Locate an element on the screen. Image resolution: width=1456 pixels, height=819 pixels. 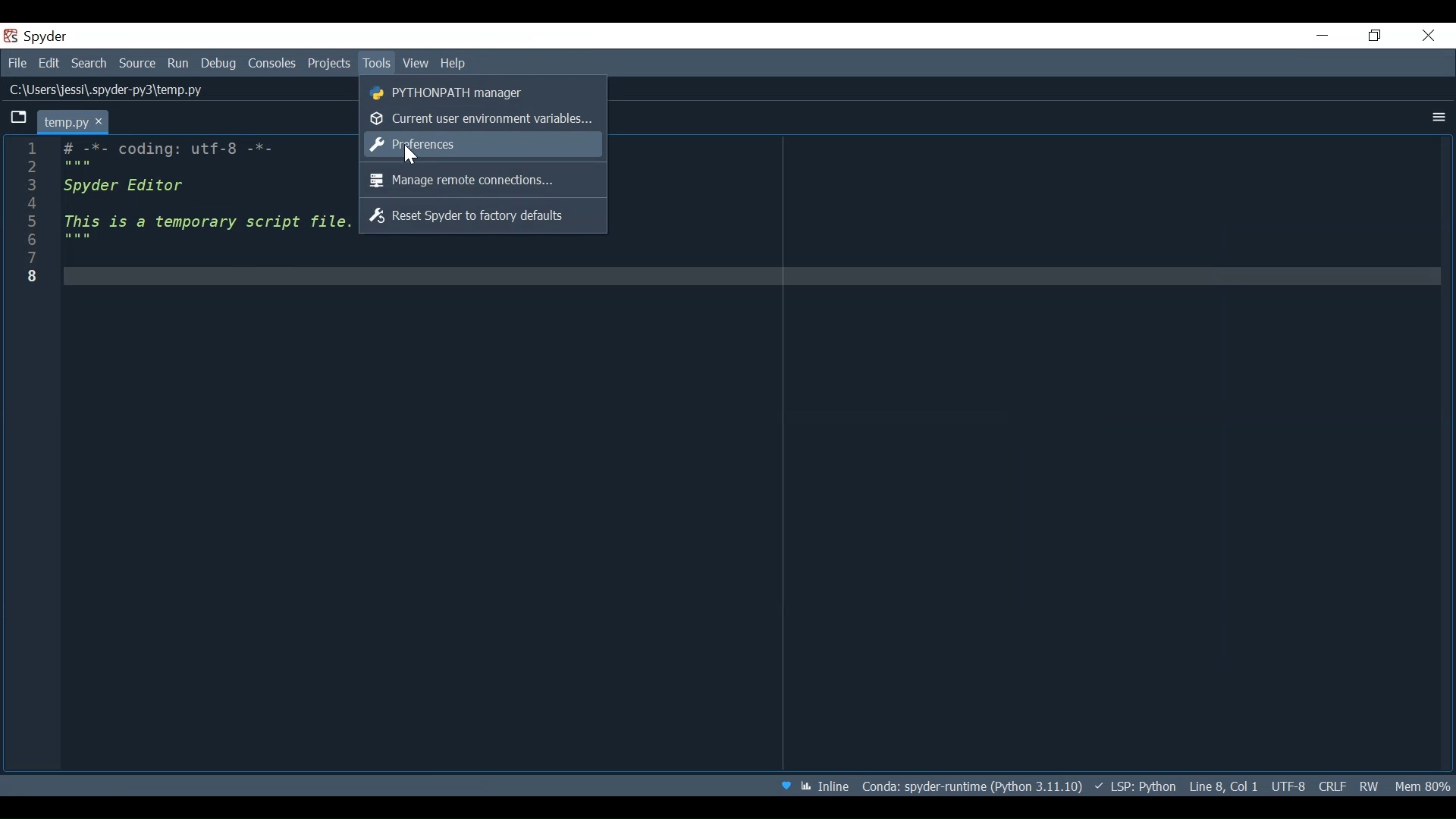
Manage remote connections is located at coordinates (473, 180).